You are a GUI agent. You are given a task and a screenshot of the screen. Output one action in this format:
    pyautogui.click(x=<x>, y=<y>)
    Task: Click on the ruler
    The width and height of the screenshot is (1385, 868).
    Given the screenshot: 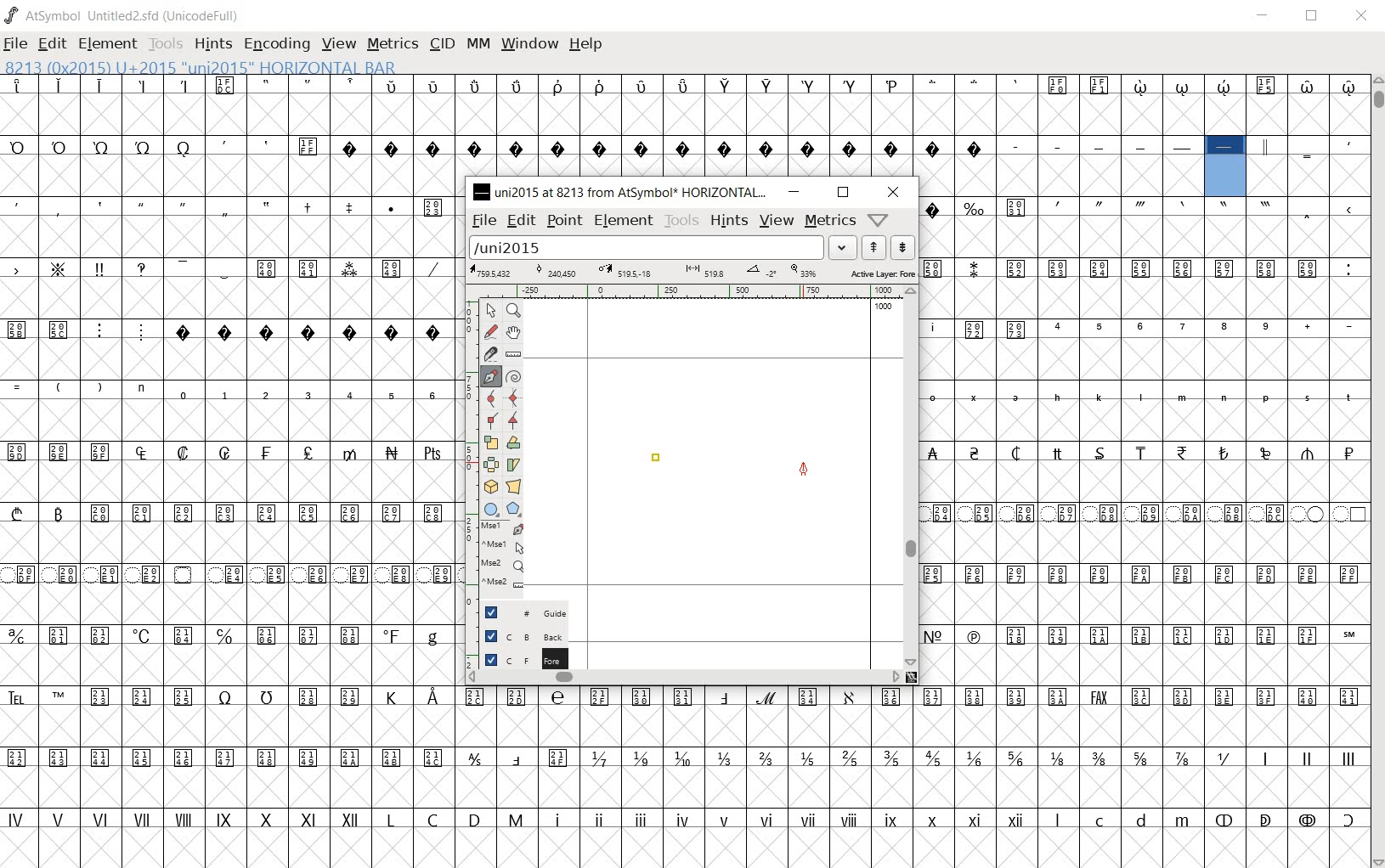 What is the action you would take?
    pyautogui.click(x=696, y=291)
    